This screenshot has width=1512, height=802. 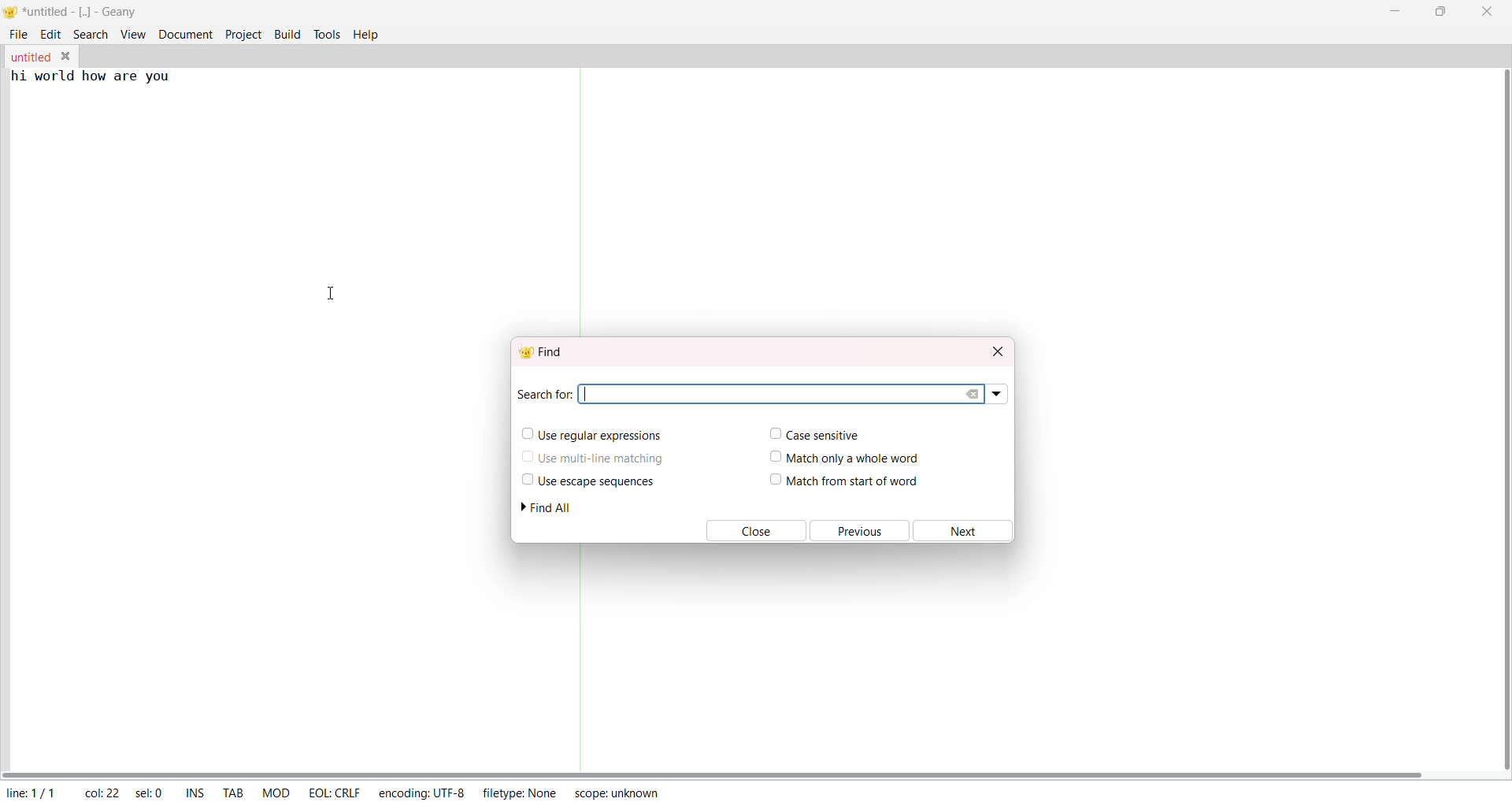 What do you see at coordinates (29, 54) in the screenshot?
I see `untitled` at bounding box center [29, 54].